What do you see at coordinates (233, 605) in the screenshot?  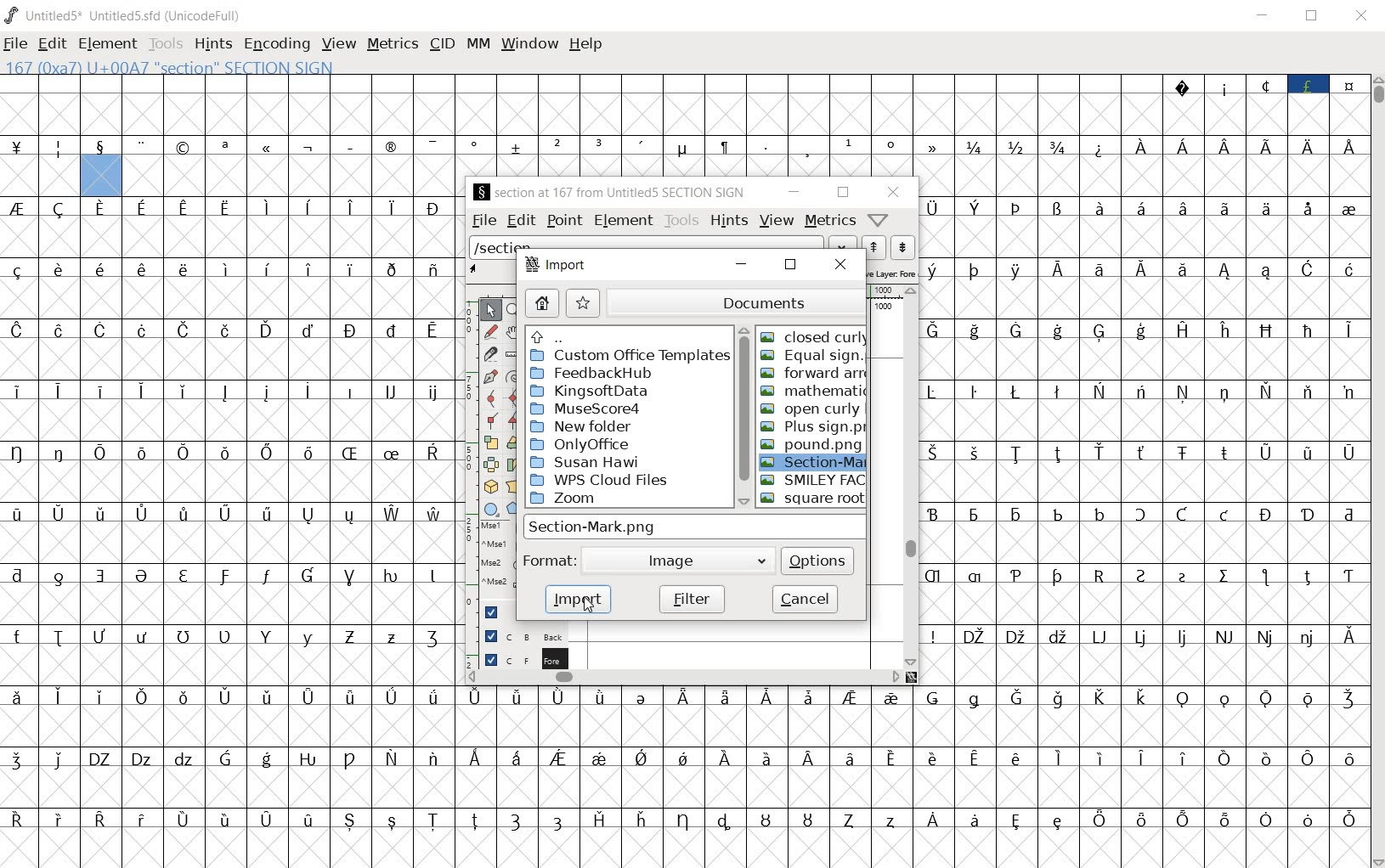 I see `empty cells` at bounding box center [233, 605].